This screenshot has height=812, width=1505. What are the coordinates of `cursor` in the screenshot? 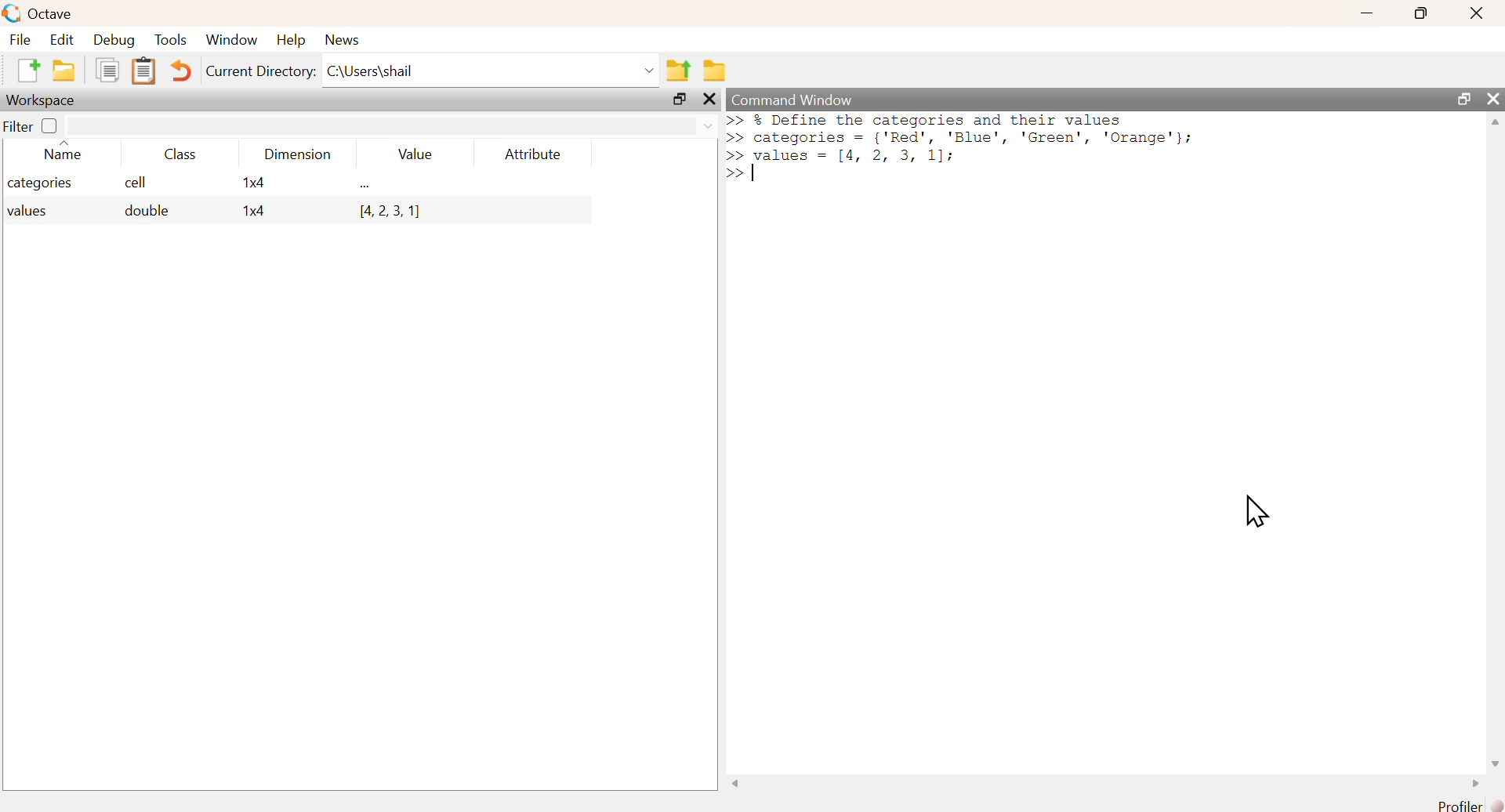 It's located at (1255, 511).